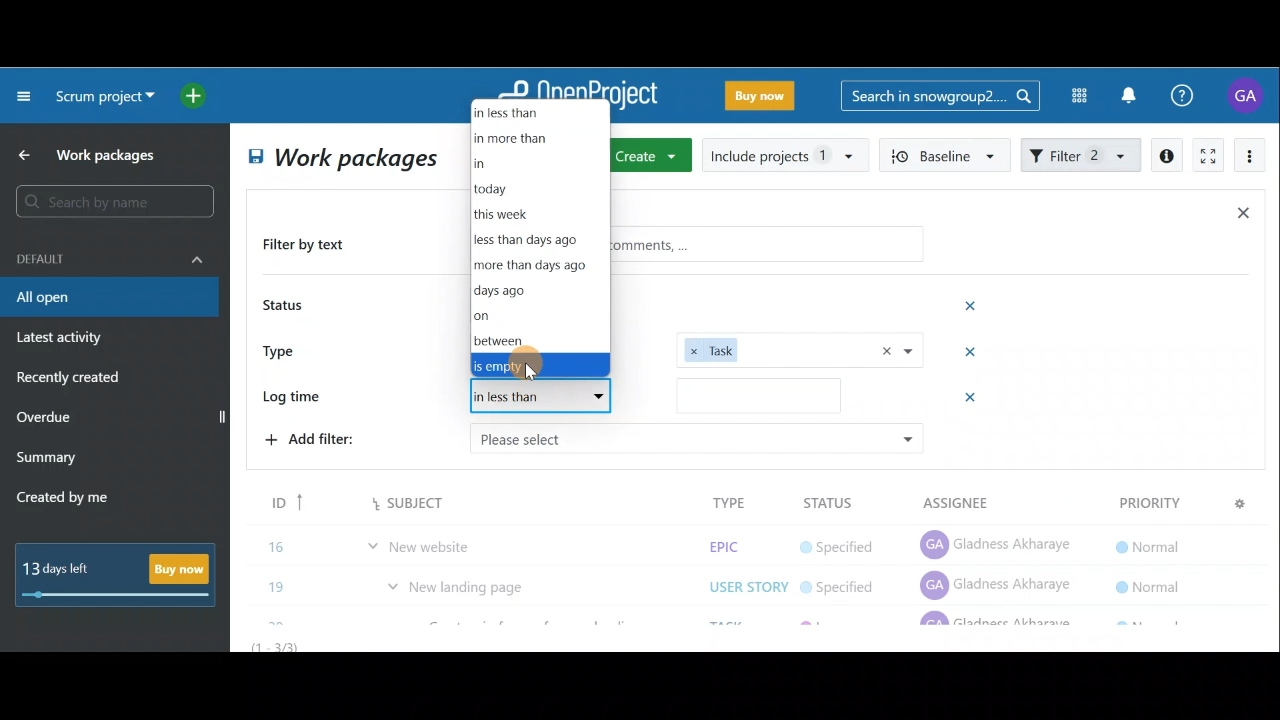 Image resolution: width=1280 pixels, height=720 pixels. What do you see at coordinates (122, 574) in the screenshot?
I see `Buy now` at bounding box center [122, 574].